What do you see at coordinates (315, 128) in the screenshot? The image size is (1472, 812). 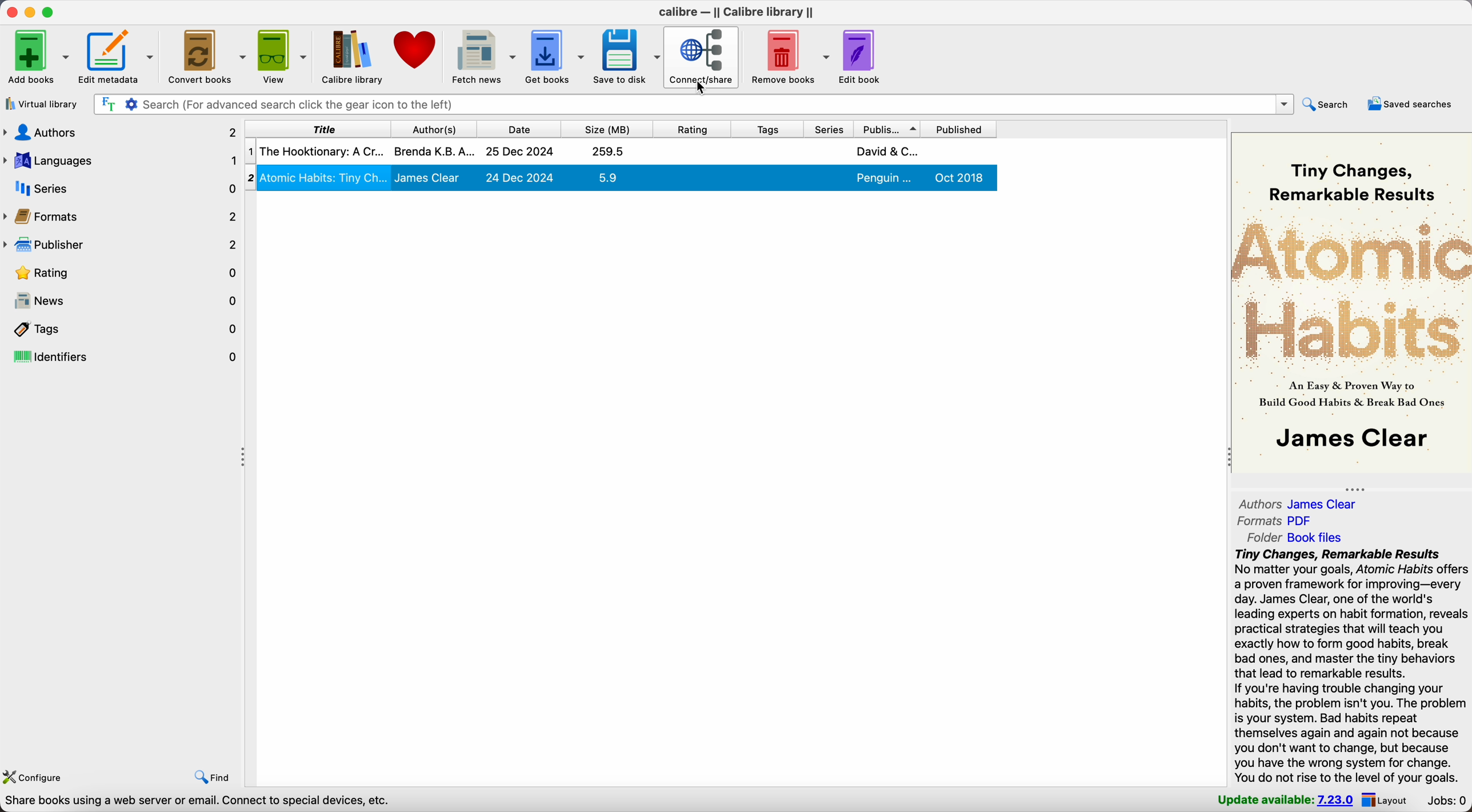 I see `title` at bounding box center [315, 128].